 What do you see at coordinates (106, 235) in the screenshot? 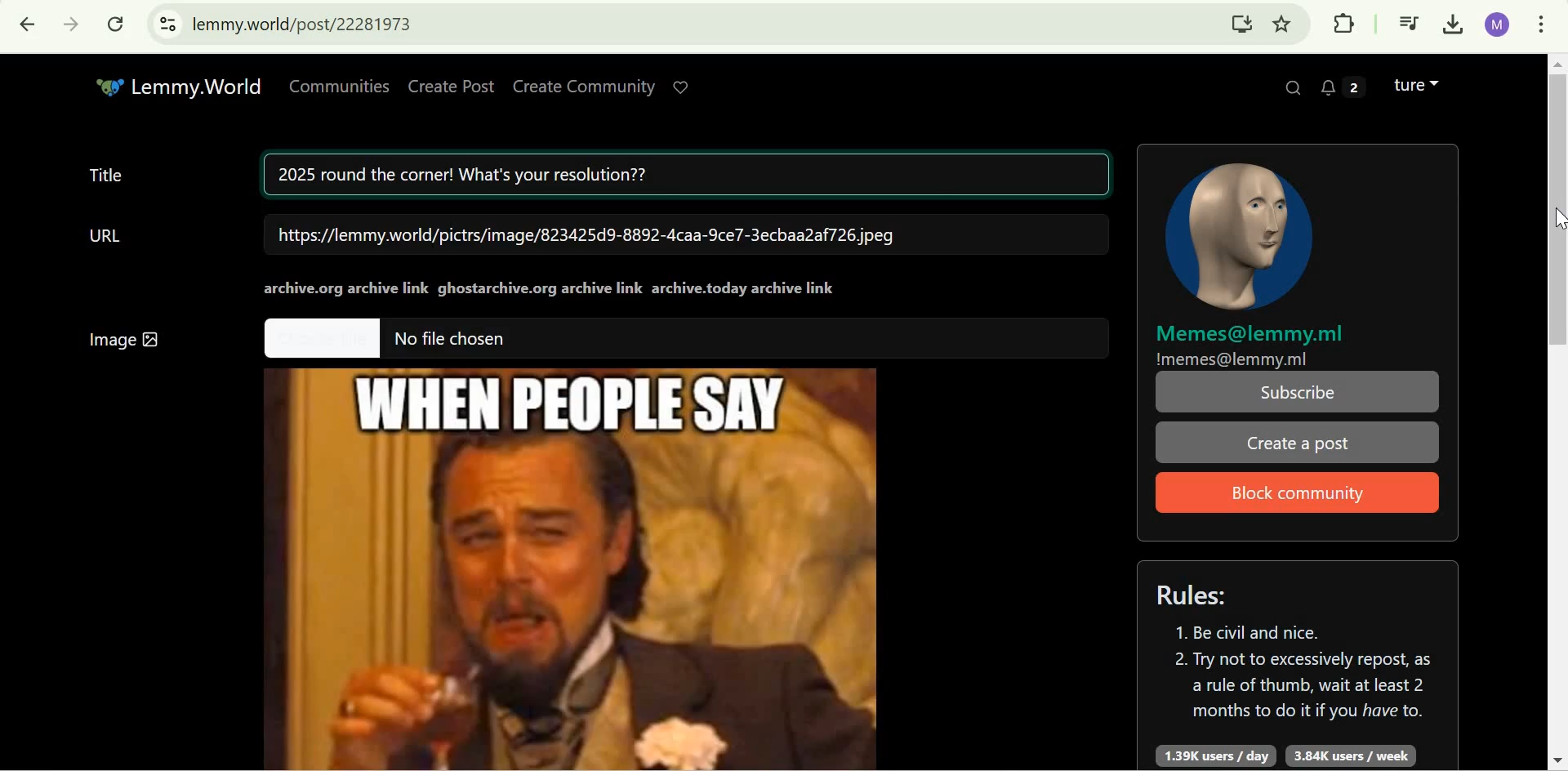
I see `URL` at bounding box center [106, 235].